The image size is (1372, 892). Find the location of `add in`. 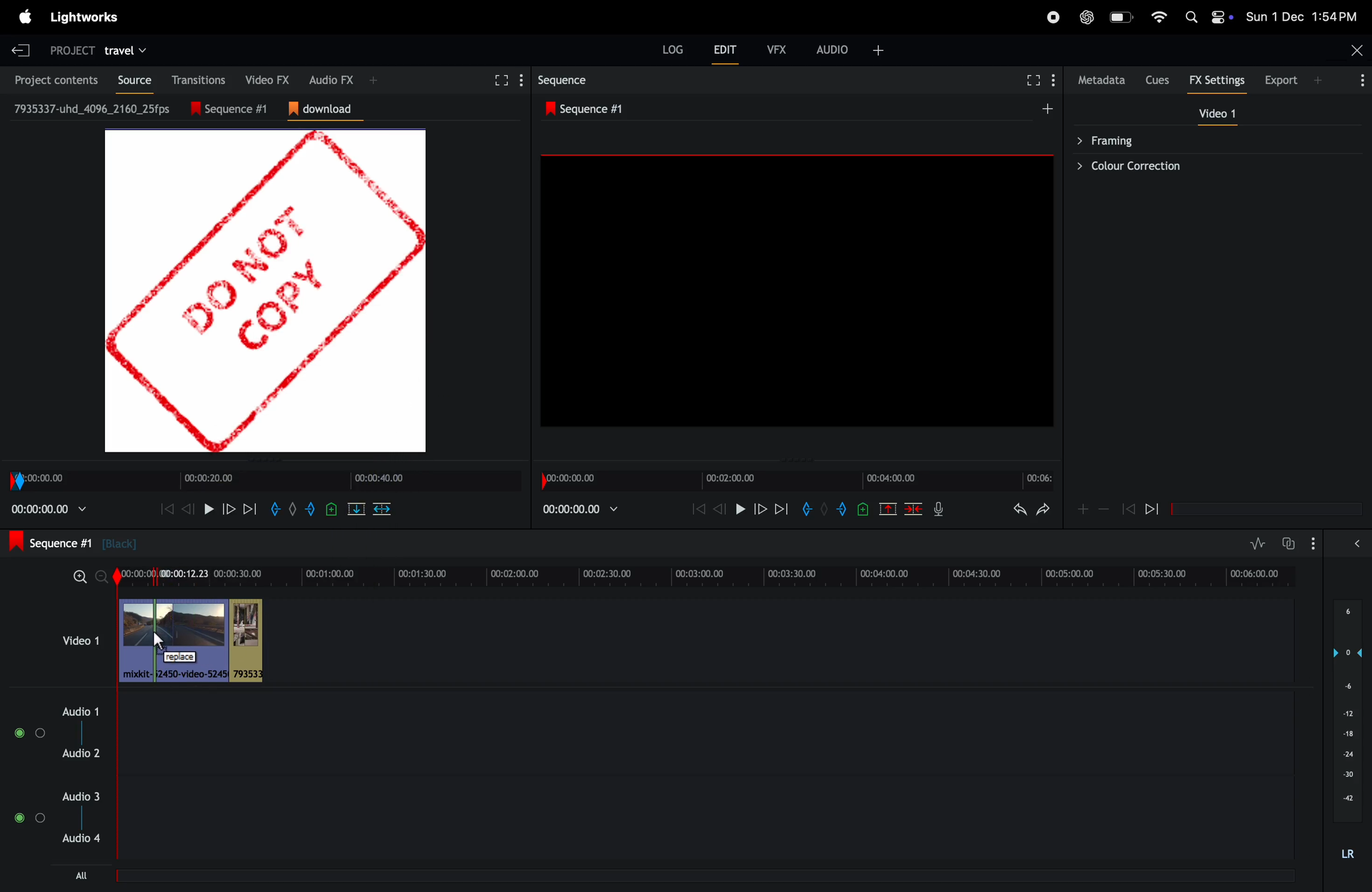

add in is located at coordinates (274, 509).